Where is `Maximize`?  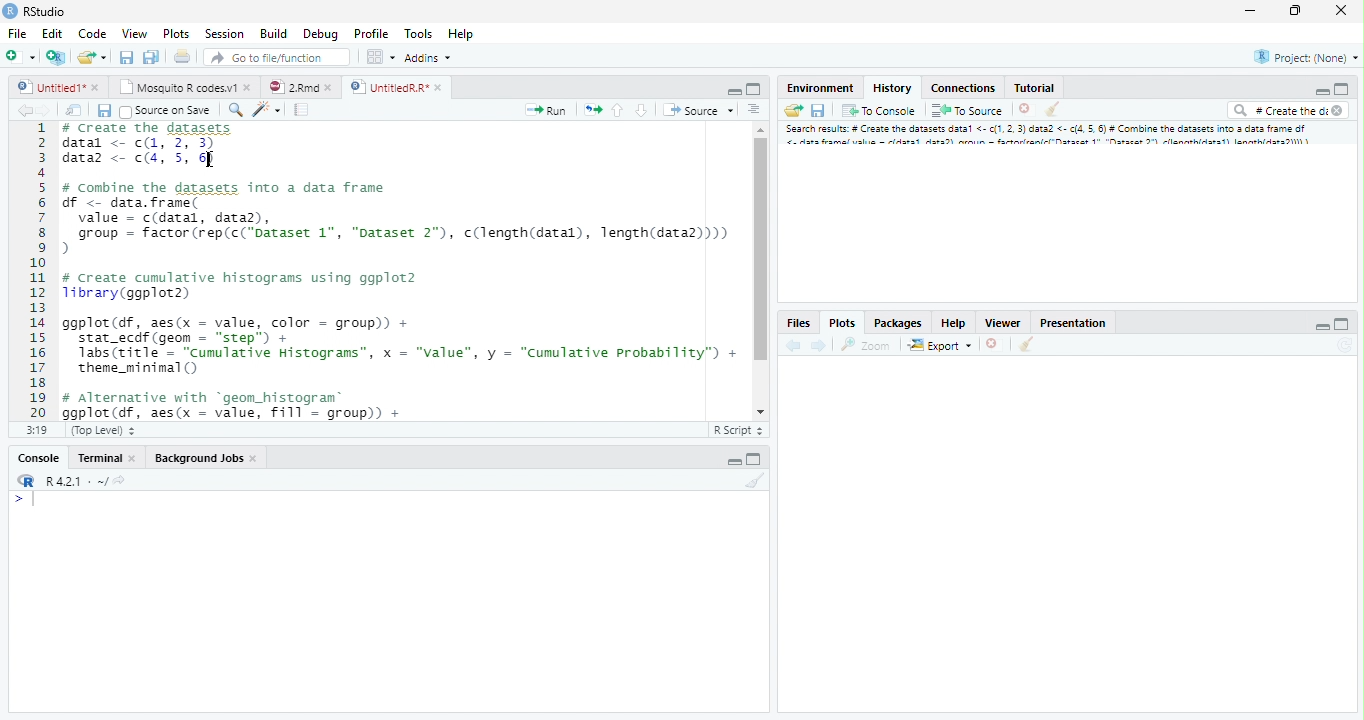 Maximize is located at coordinates (1344, 323).